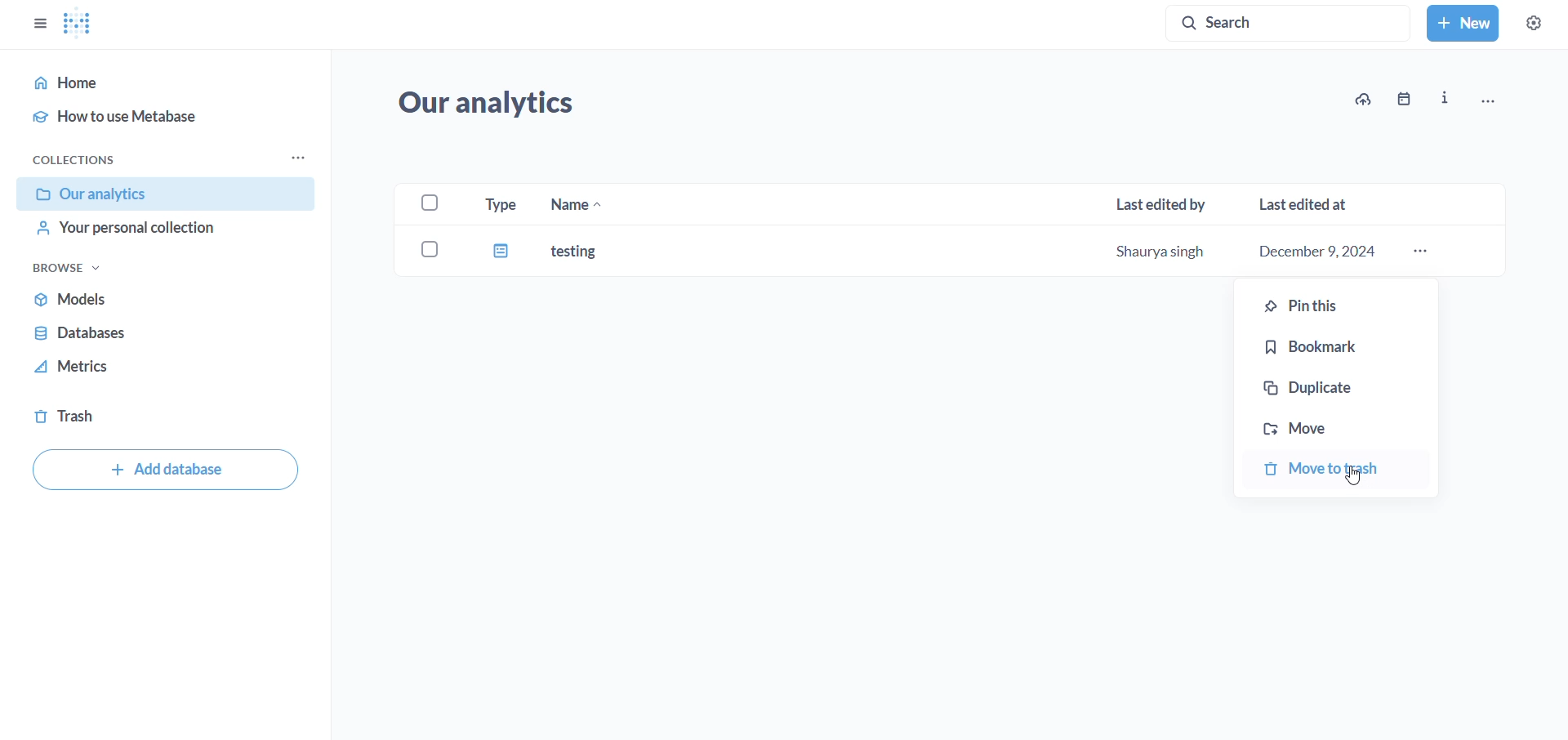 This screenshot has width=1568, height=740. I want to click on collection options, so click(296, 158).